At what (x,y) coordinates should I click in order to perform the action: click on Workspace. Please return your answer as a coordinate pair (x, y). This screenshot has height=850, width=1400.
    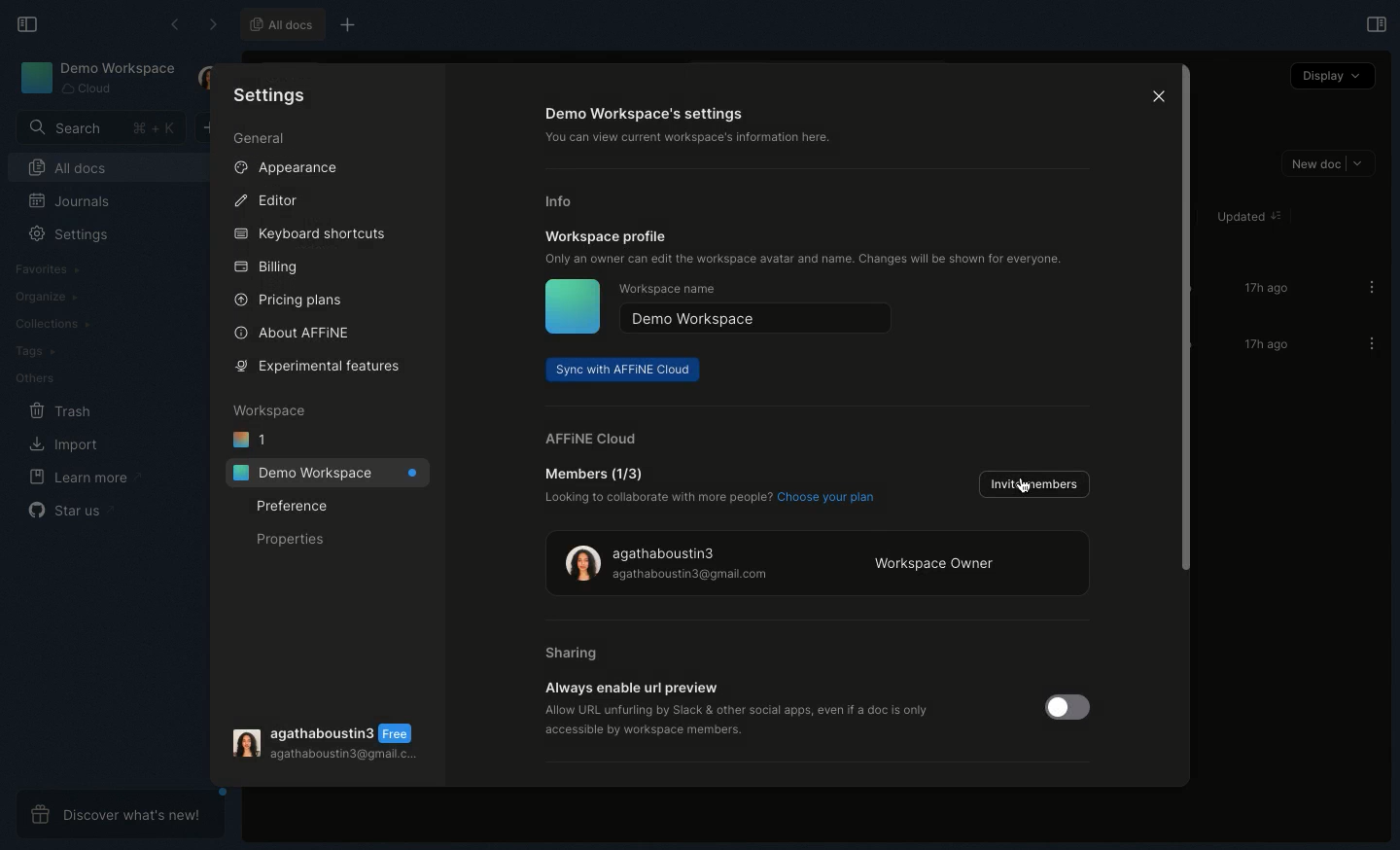
    Looking at the image, I should click on (268, 411).